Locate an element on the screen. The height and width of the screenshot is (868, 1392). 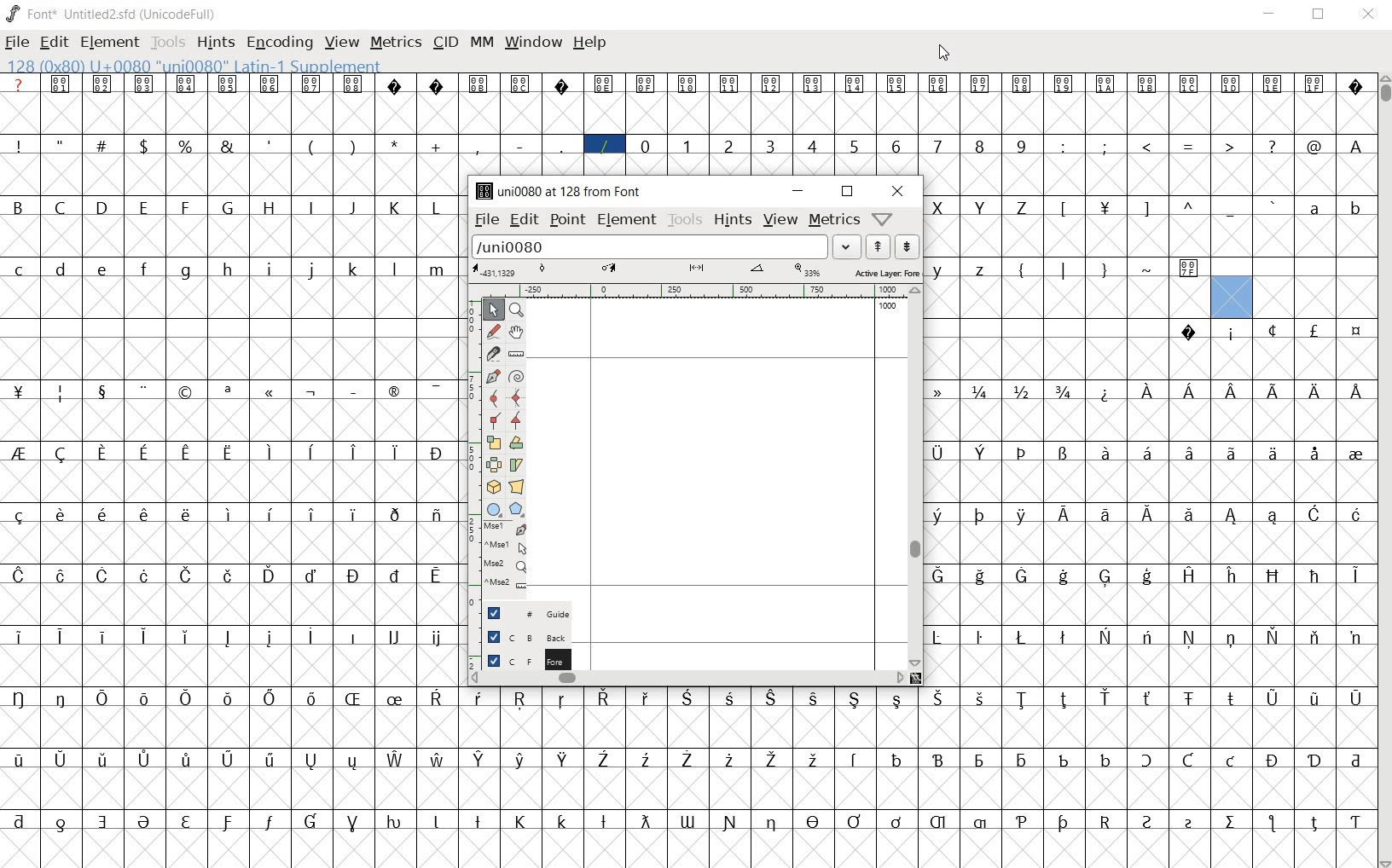
foreground layer is located at coordinates (518, 658).